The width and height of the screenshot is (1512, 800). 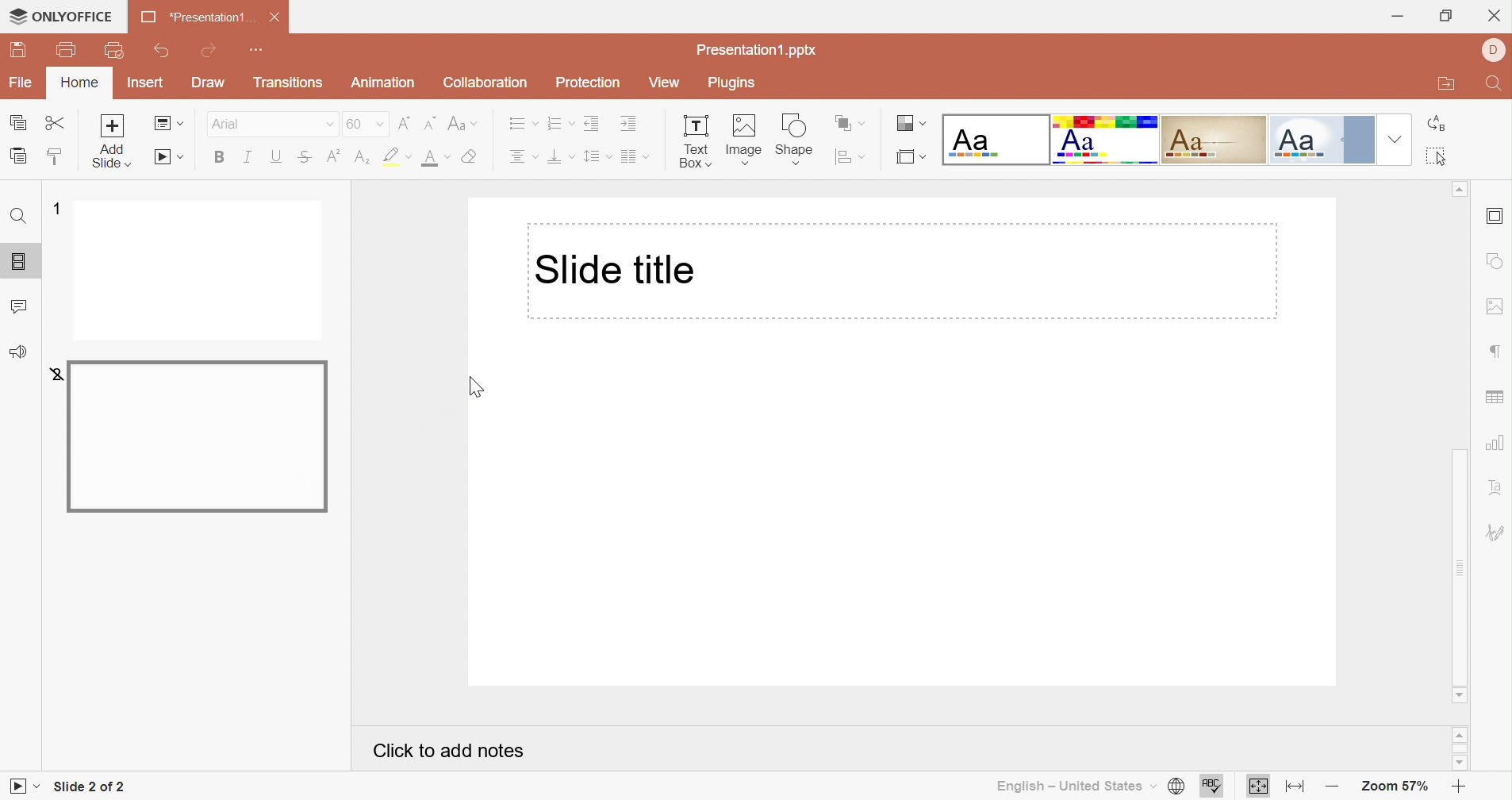 I want to click on Decrease Indent, so click(x=592, y=123).